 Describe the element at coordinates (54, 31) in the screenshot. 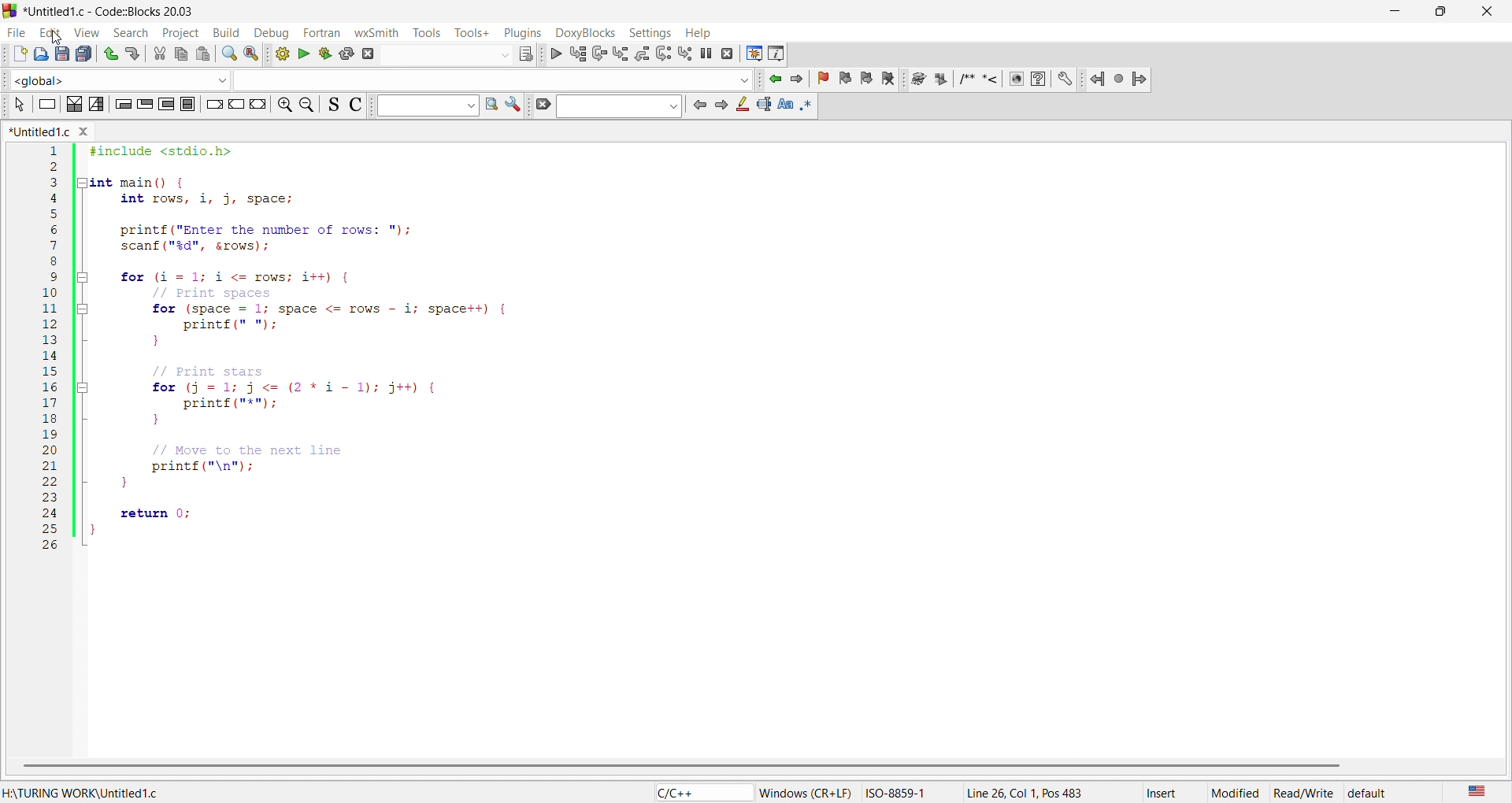

I see `edit ` at that location.